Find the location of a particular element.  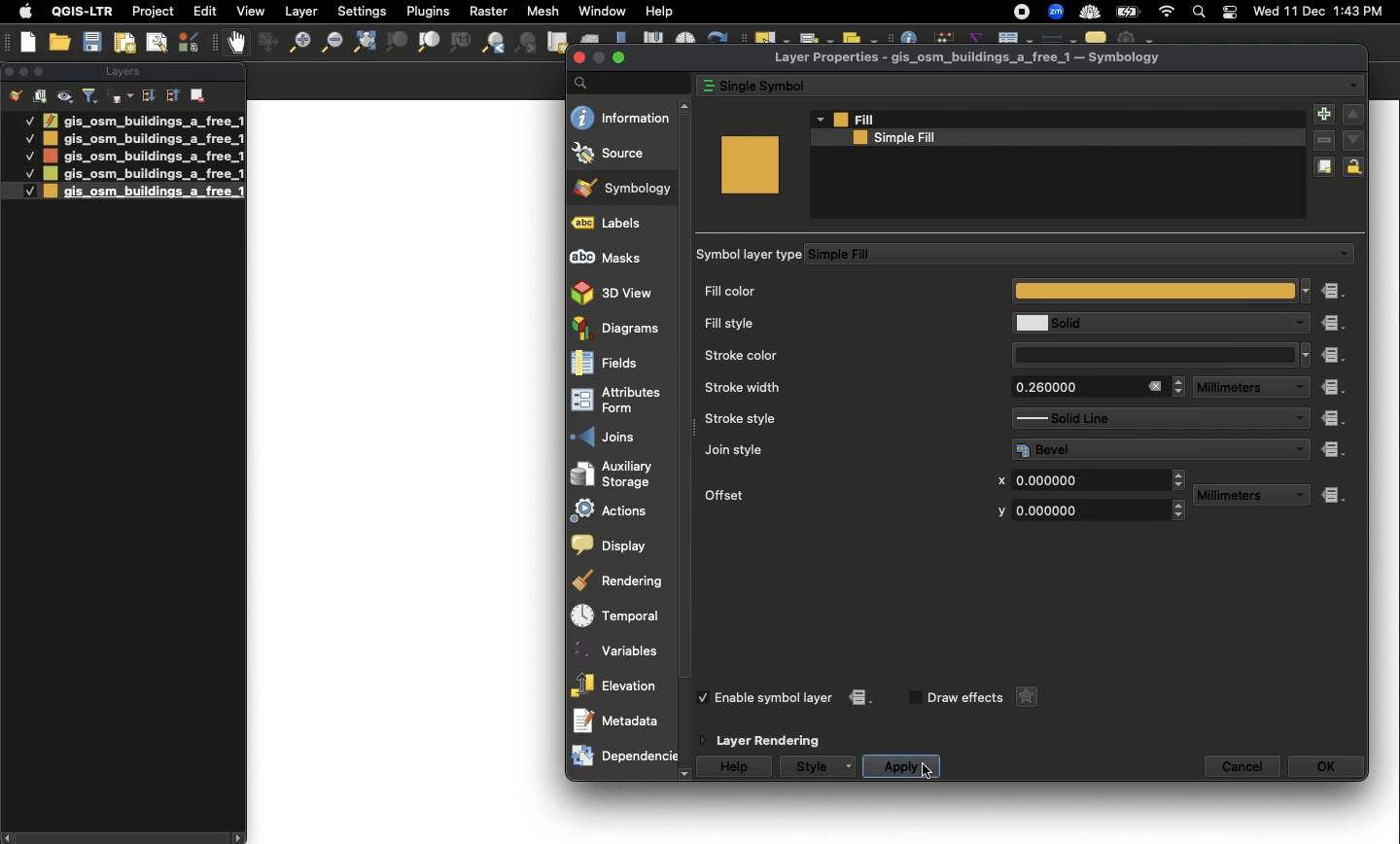

Search is located at coordinates (1197, 14).